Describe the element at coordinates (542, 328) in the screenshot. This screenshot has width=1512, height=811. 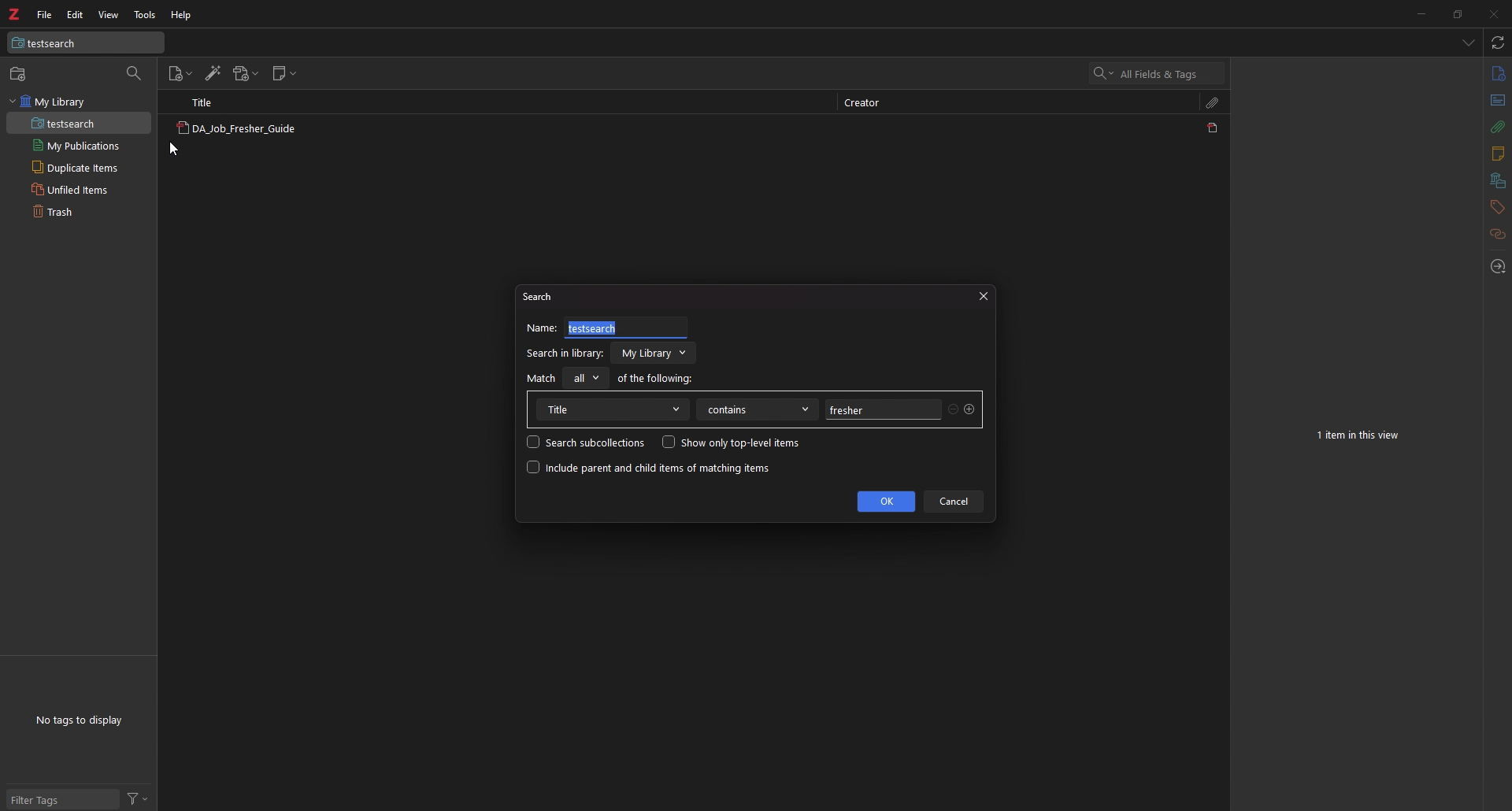
I see `name` at that location.